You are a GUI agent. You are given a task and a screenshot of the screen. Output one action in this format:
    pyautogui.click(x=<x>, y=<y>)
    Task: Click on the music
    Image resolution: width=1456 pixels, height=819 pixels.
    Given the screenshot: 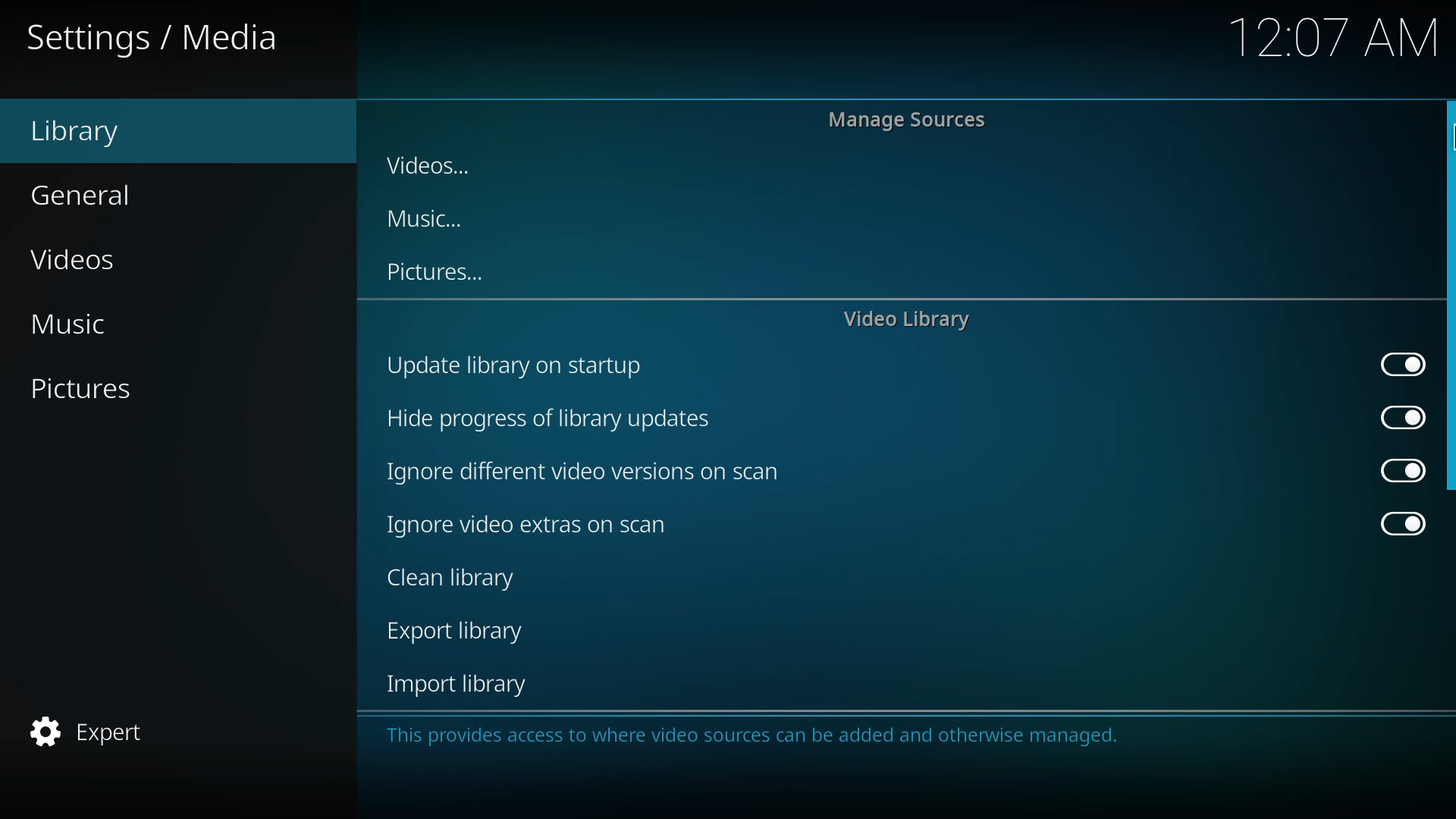 What is the action you would take?
    pyautogui.click(x=425, y=222)
    